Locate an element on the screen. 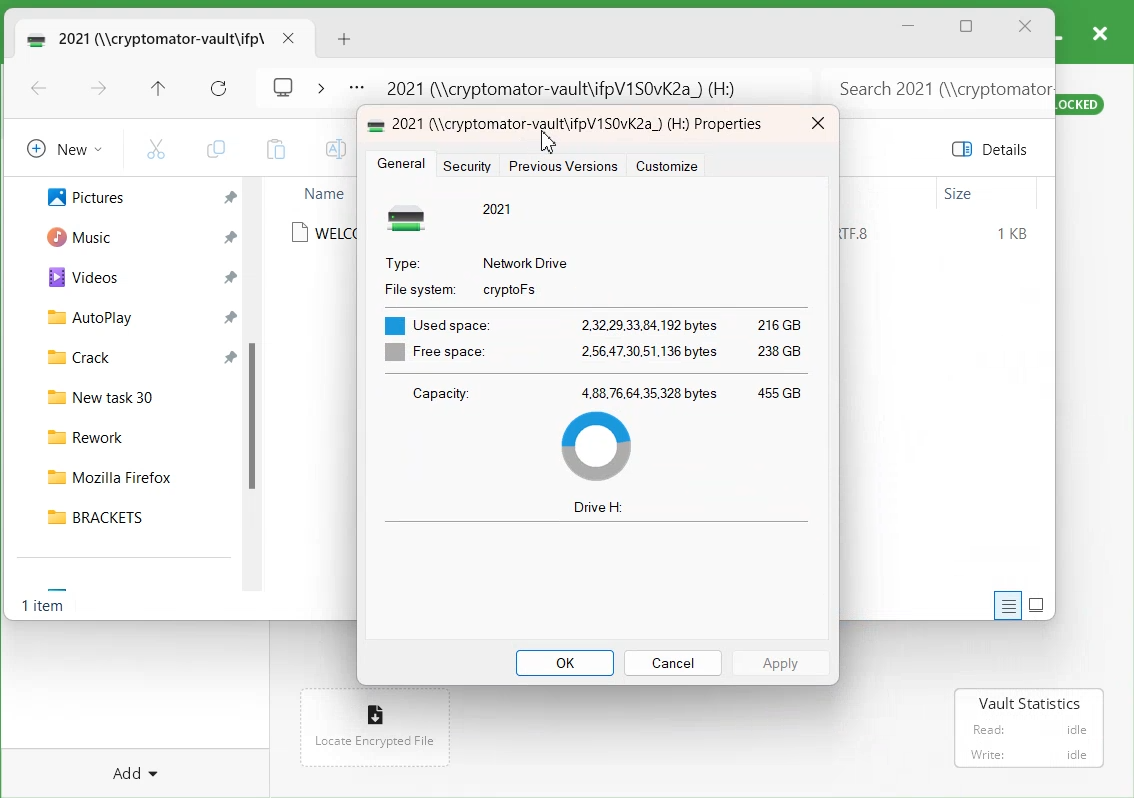 The image size is (1134, 798). Minimize is located at coordinates (909, 26).